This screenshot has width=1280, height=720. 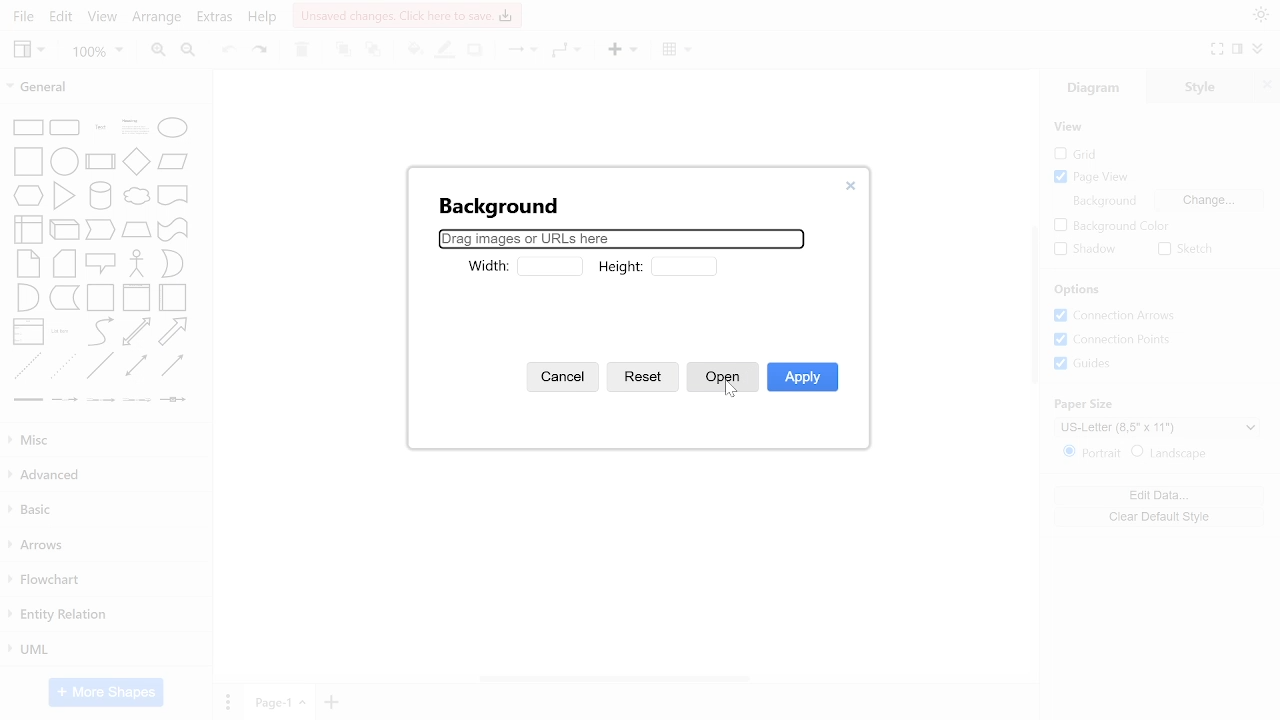 I want to click on general shapes, so click(x=63, y=263).